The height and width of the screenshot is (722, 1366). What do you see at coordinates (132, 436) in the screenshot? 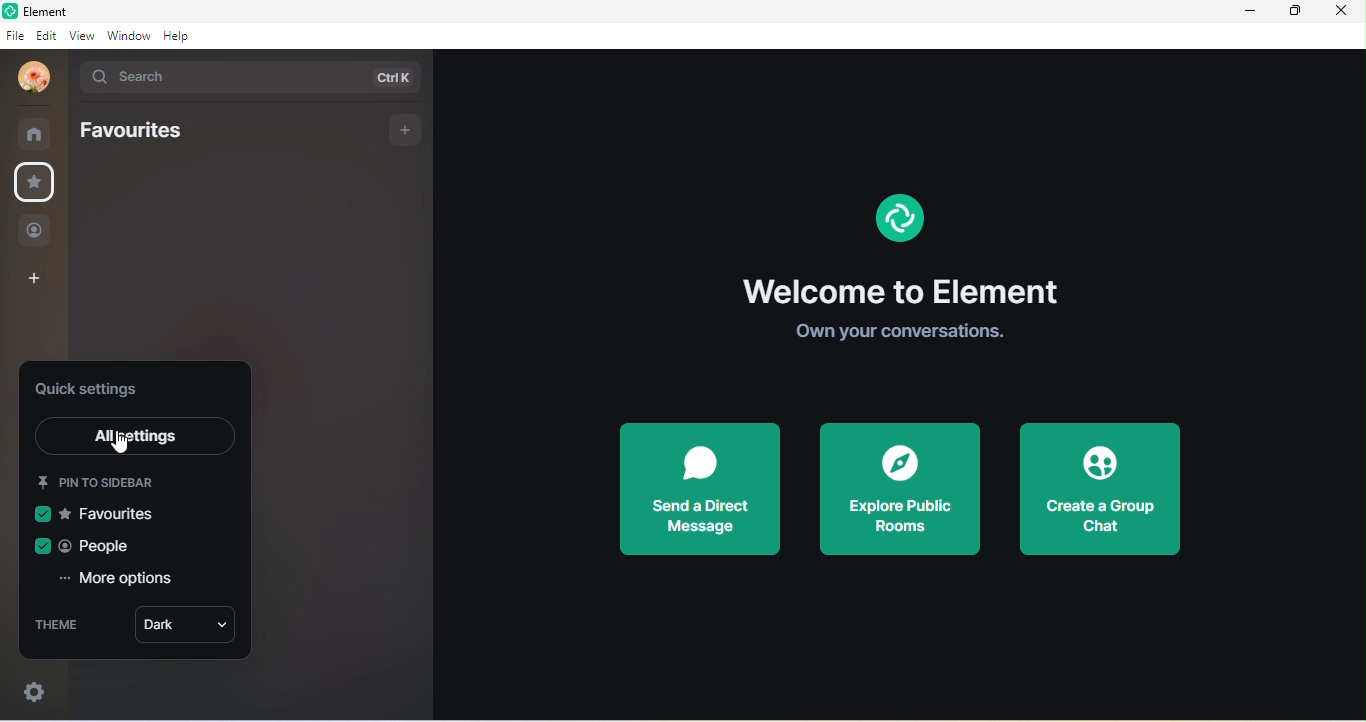
I see `all settings` at bounding box center [132, 436].